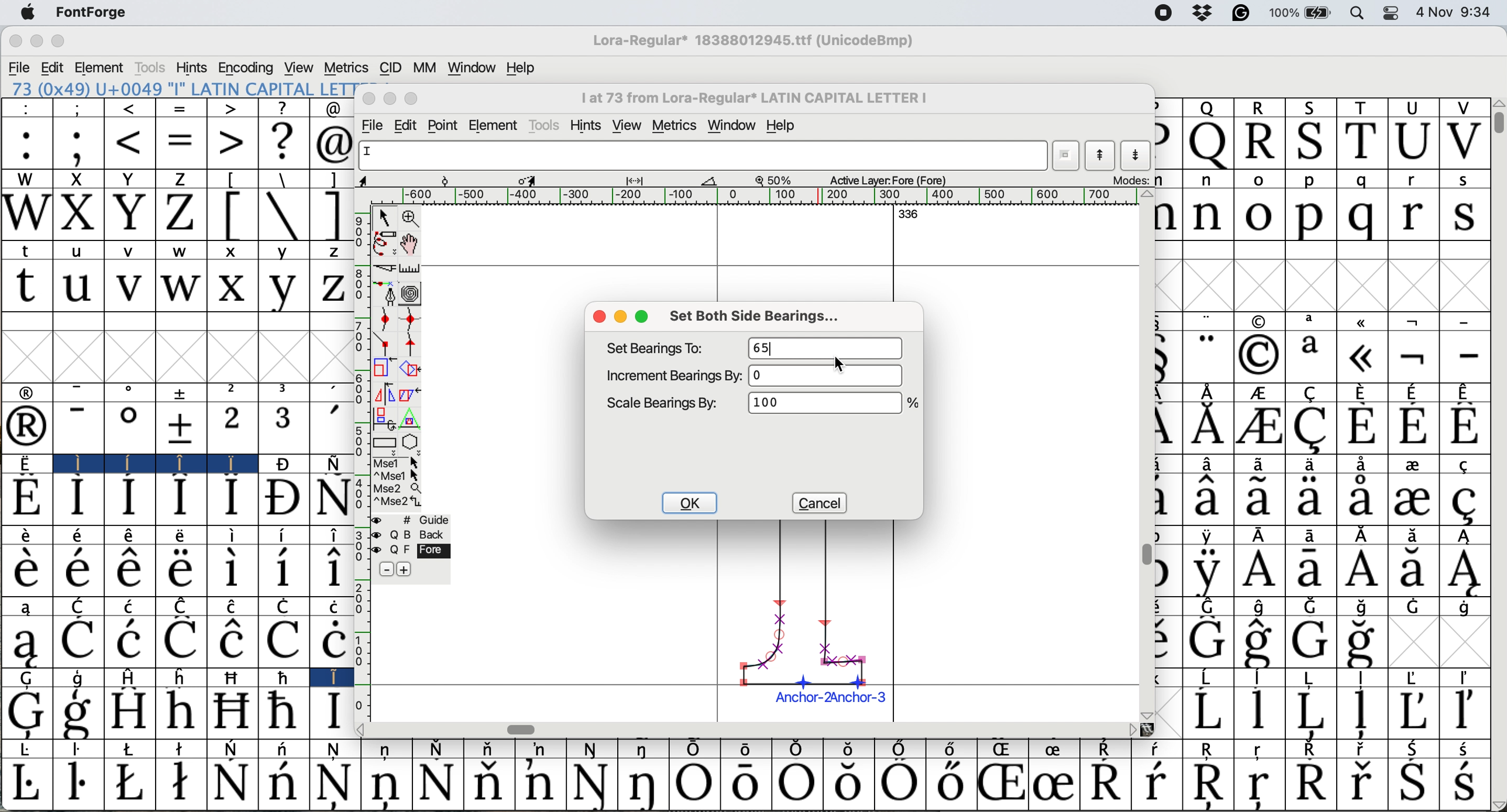  What do you see at coordinates (282, 711) in the screenshot?
I see `Symbol` at bounding box center [282, 711].